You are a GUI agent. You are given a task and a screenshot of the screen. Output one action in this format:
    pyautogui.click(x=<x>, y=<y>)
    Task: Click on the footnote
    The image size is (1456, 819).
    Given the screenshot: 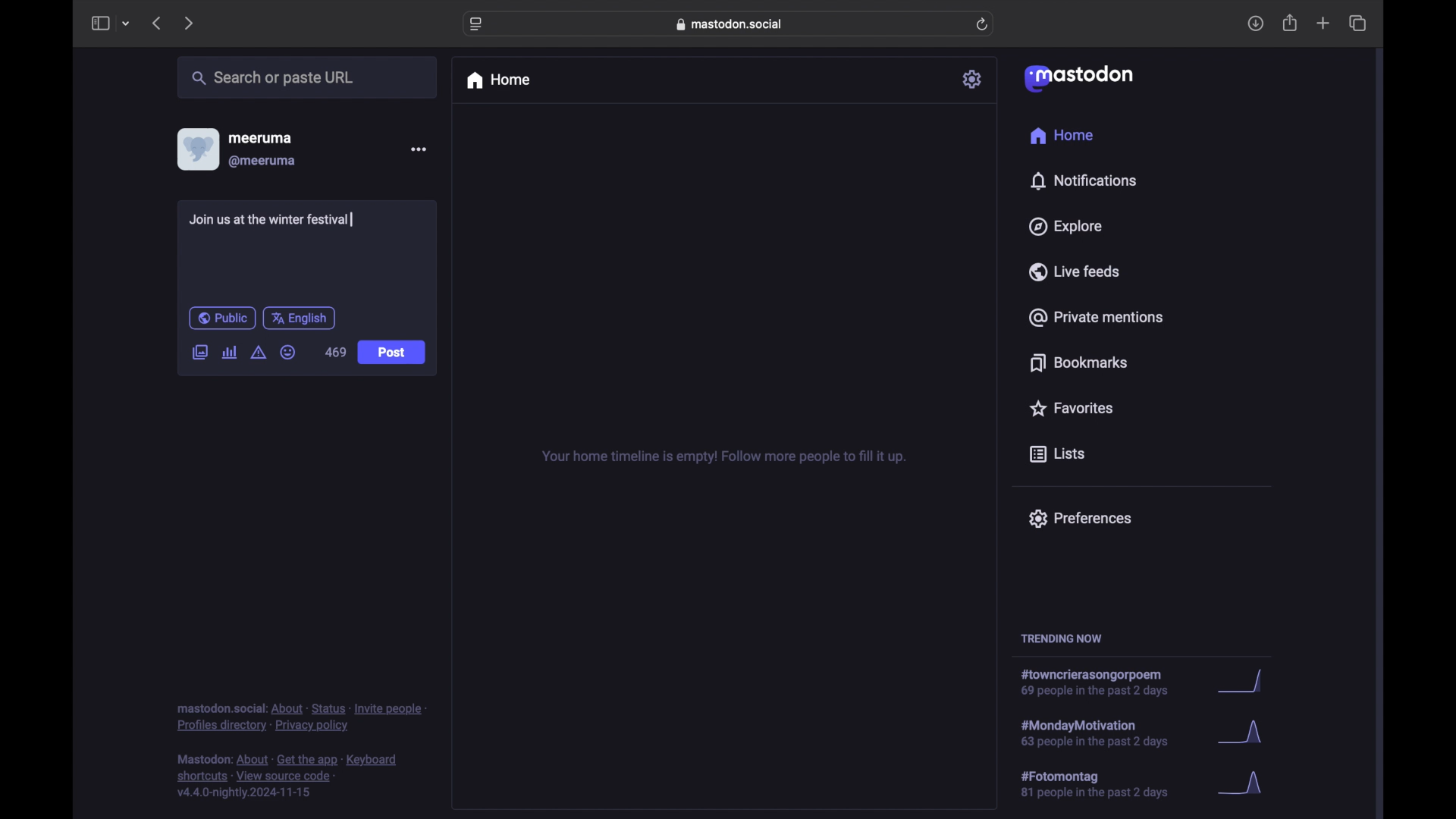 What is the action you would take?
    pyautogui.click(x=302, y=717)
    